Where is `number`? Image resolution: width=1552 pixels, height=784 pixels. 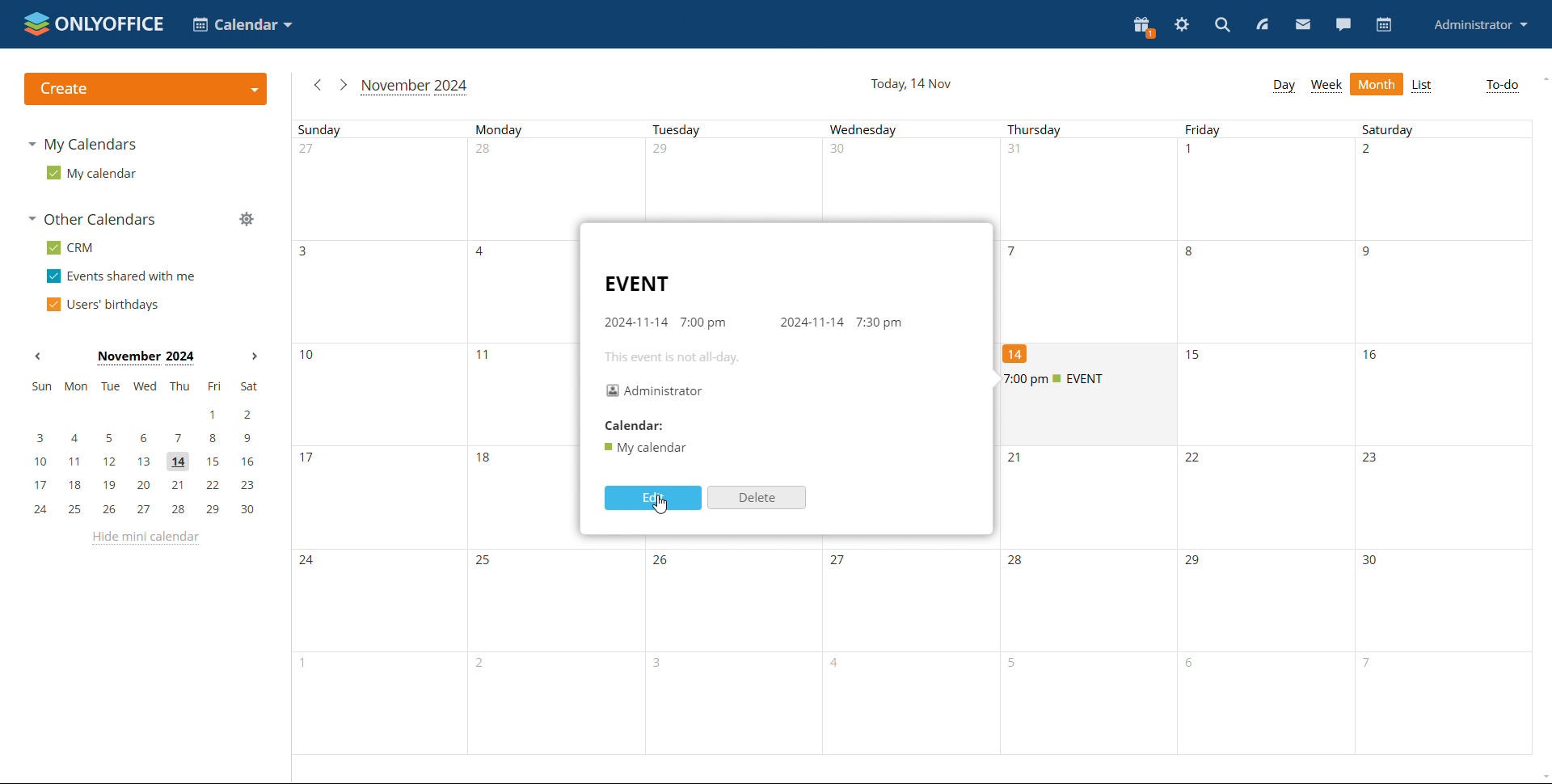 number is located at coordinates (1373, 253).